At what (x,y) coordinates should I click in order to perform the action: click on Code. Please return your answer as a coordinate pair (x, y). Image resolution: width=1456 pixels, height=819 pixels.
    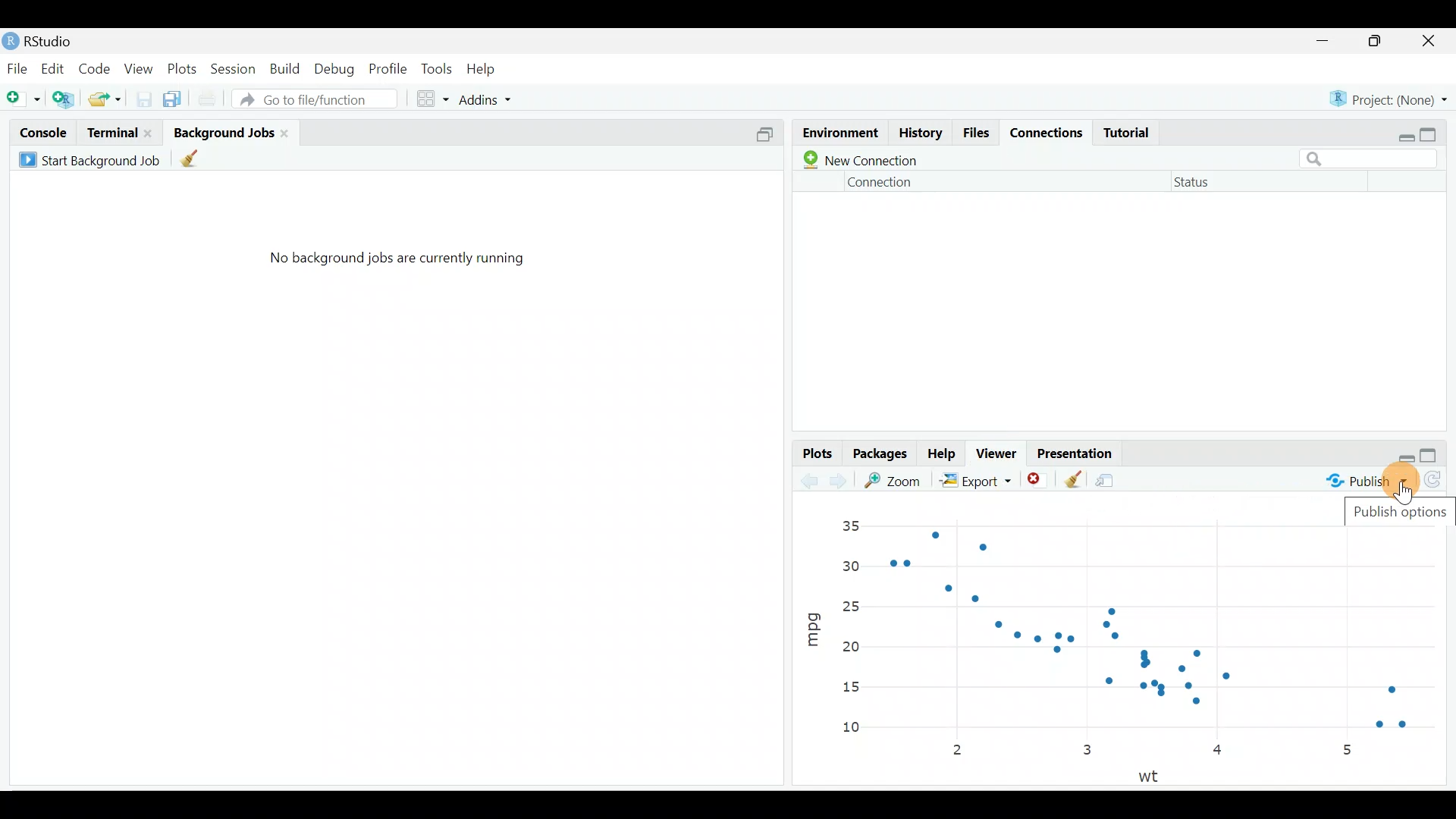
    Looking at the image, I should click on (97, 66).